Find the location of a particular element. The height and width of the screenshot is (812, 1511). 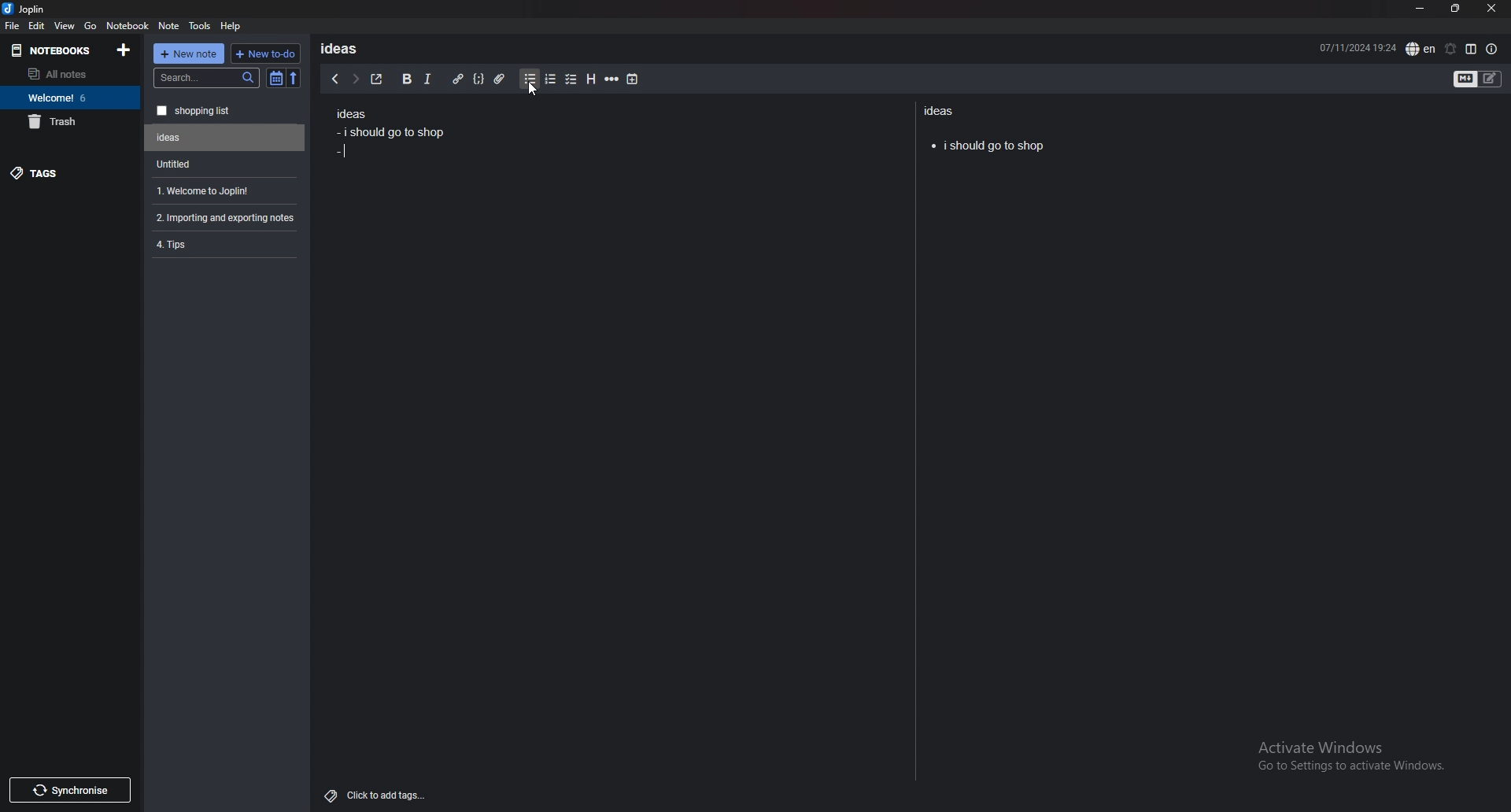

notebook is located at coordinates (127, 24).